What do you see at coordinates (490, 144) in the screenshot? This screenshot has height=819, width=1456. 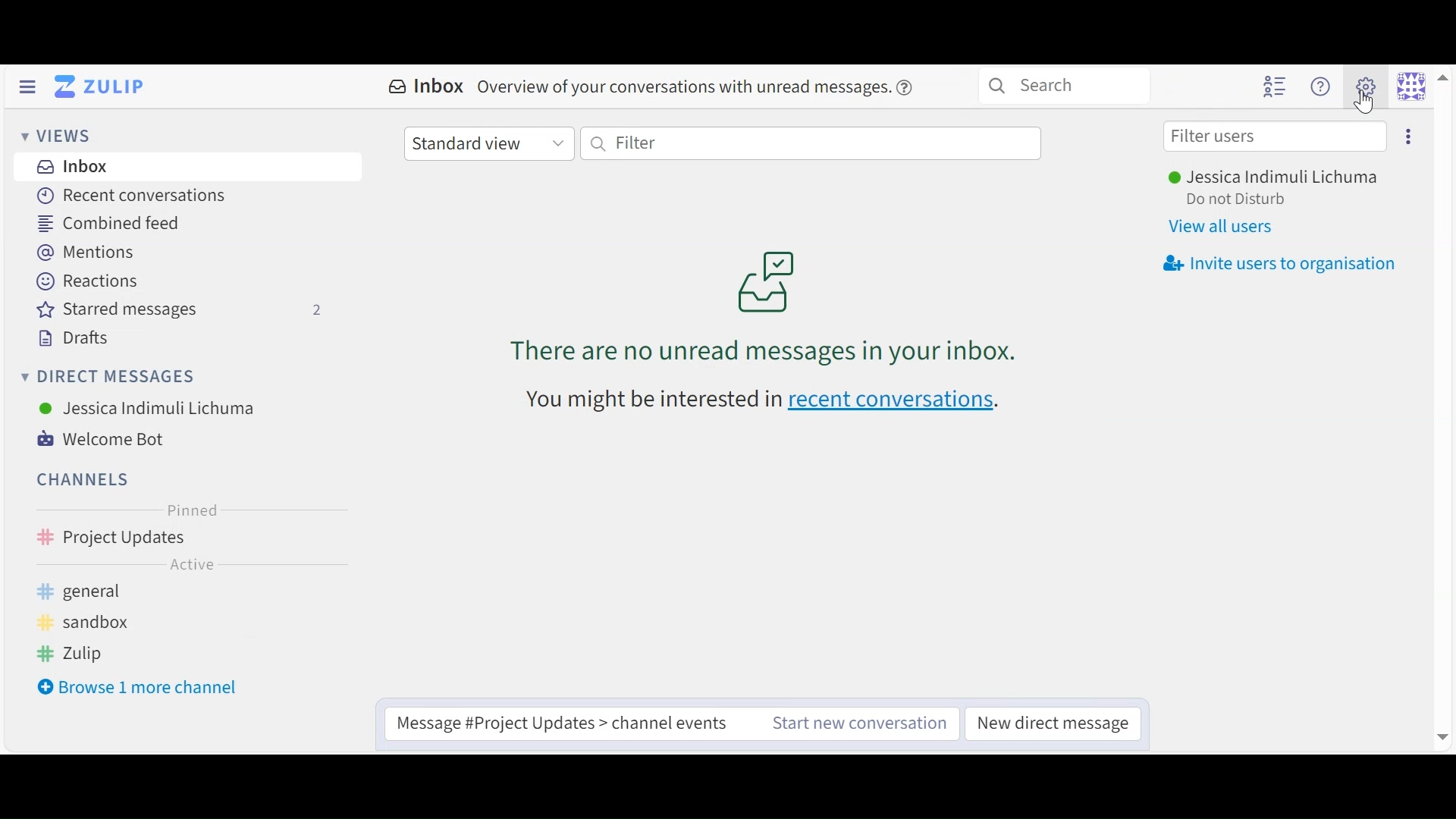 I see `Standard view` at bounding box center [490, 144].